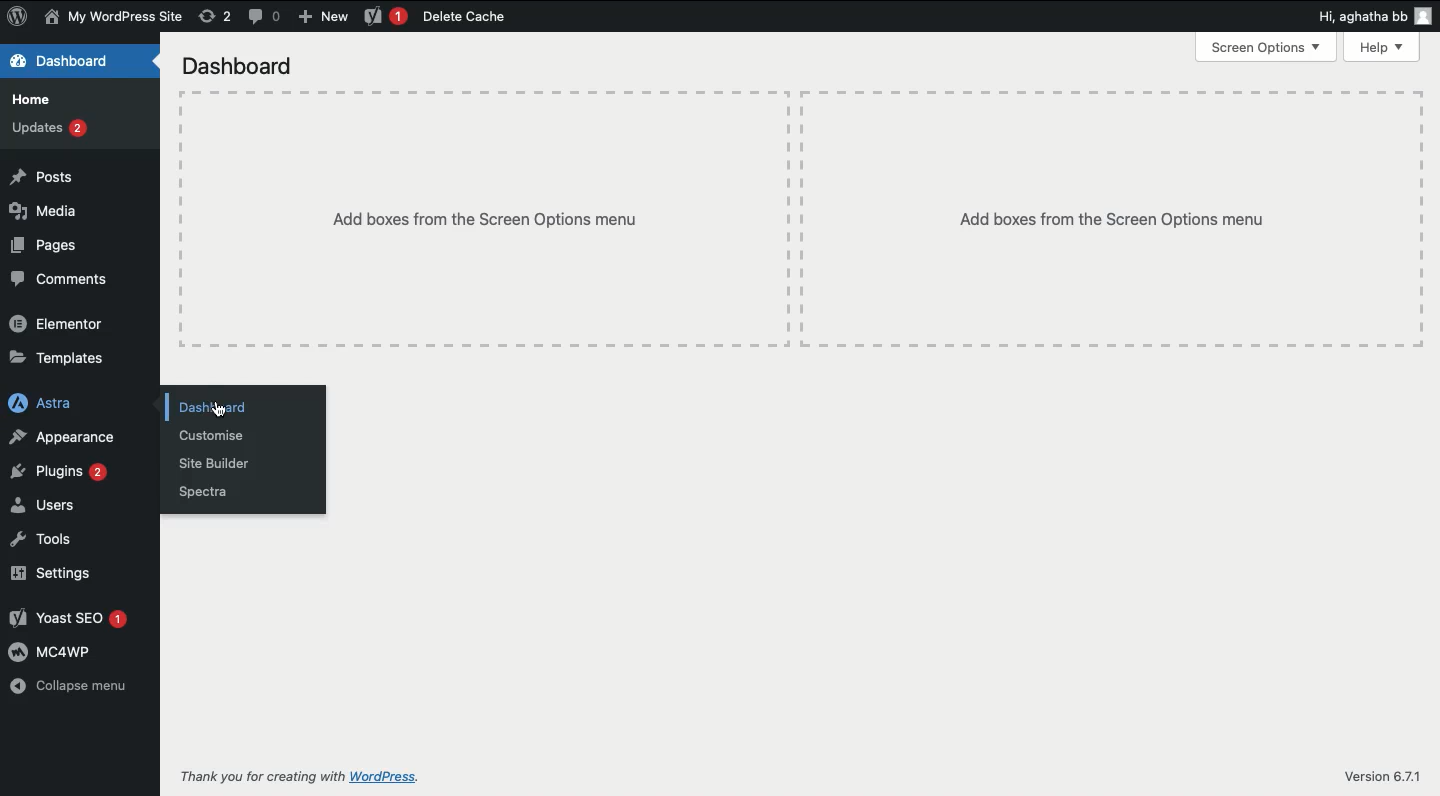  What do you see at coordinates (458, 776) in the screenshot?
I see `WordPress` at bounding box center [458, 776].